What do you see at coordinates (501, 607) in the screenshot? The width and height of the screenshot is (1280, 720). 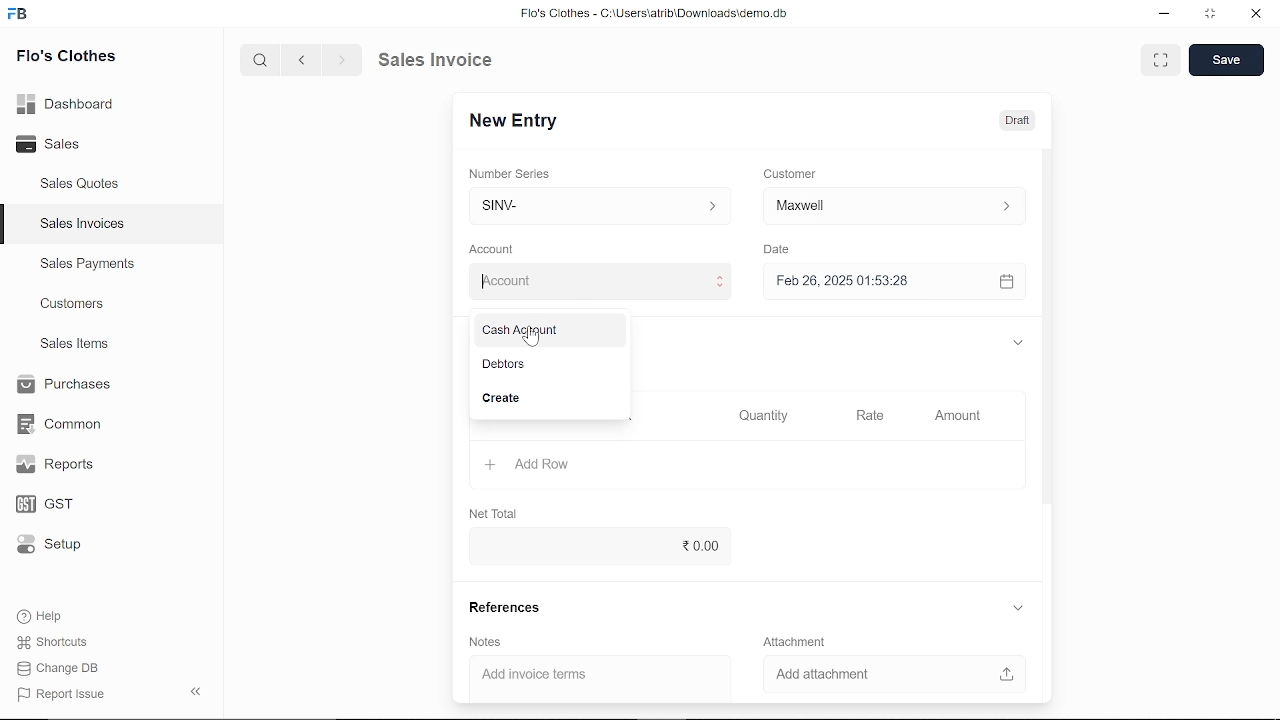 I see `References` at bounding box center [501, 607].